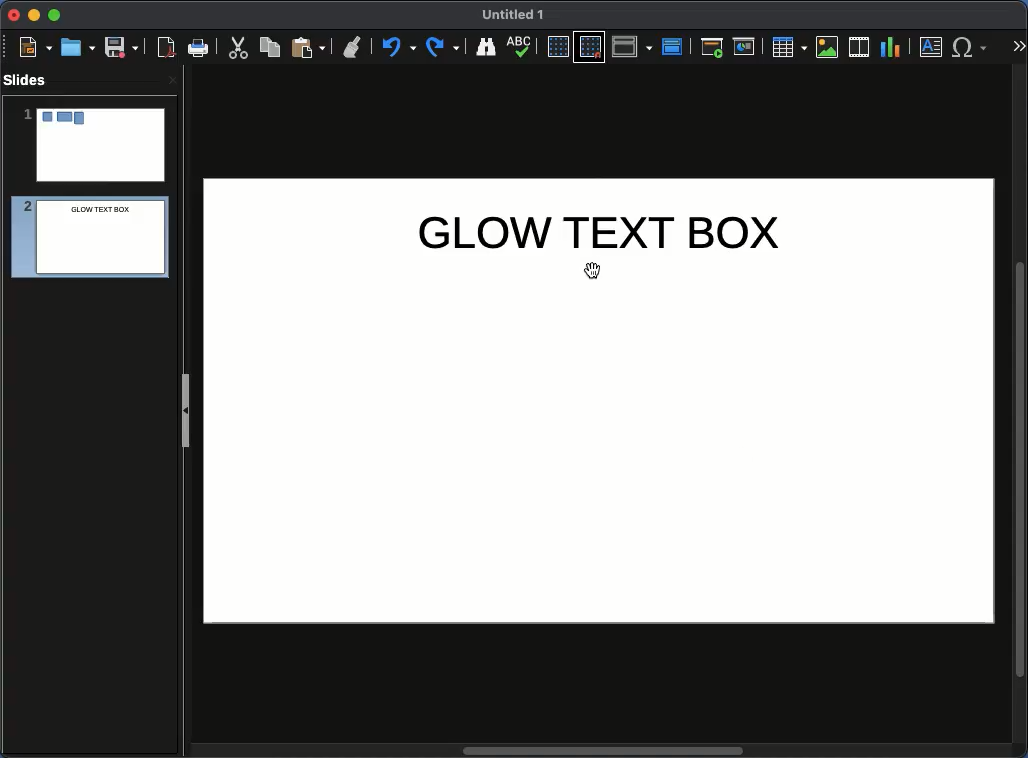 The width and height of the screenshot is (1028, 758). Describe the element at coordinates (932, 46) in the screenshot. I see `Textbox` at that location.